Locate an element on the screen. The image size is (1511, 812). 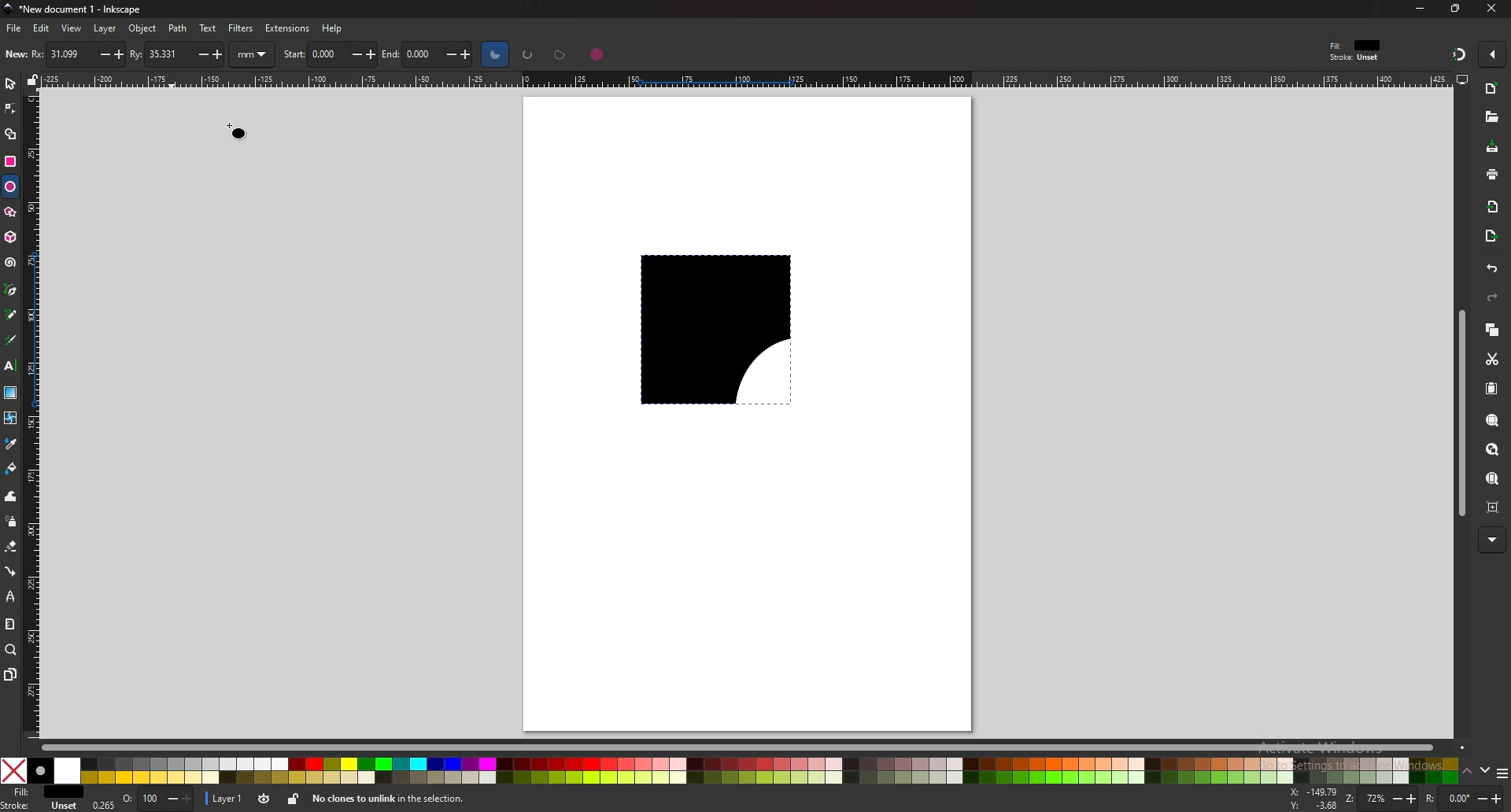
star is located at coordinates (10, 212).